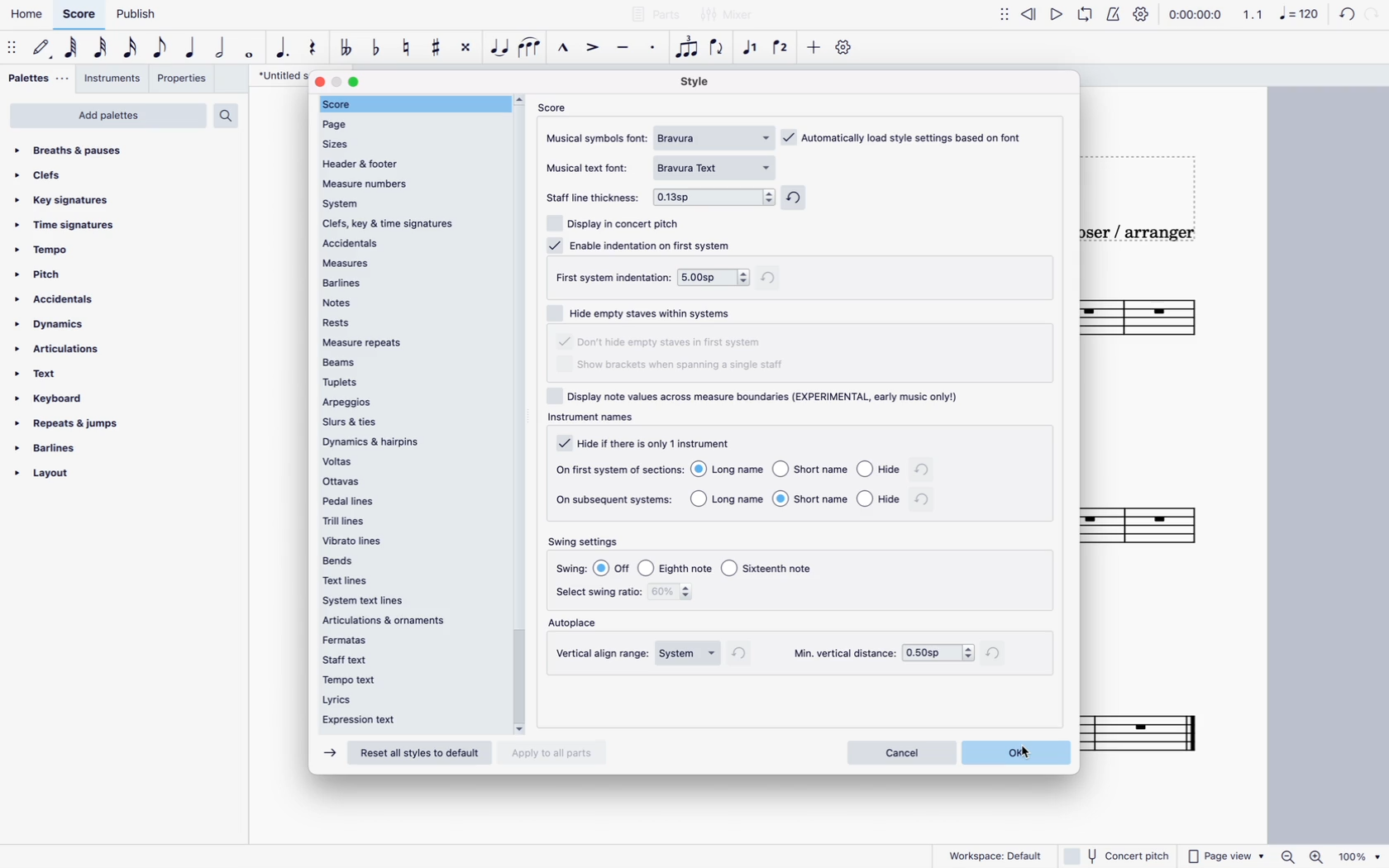 Image resolution: width=1389 pixels, height=868 pixels. Describe the element at coordinates (563, 50) in the screenshot. I see `marcato` at that location.